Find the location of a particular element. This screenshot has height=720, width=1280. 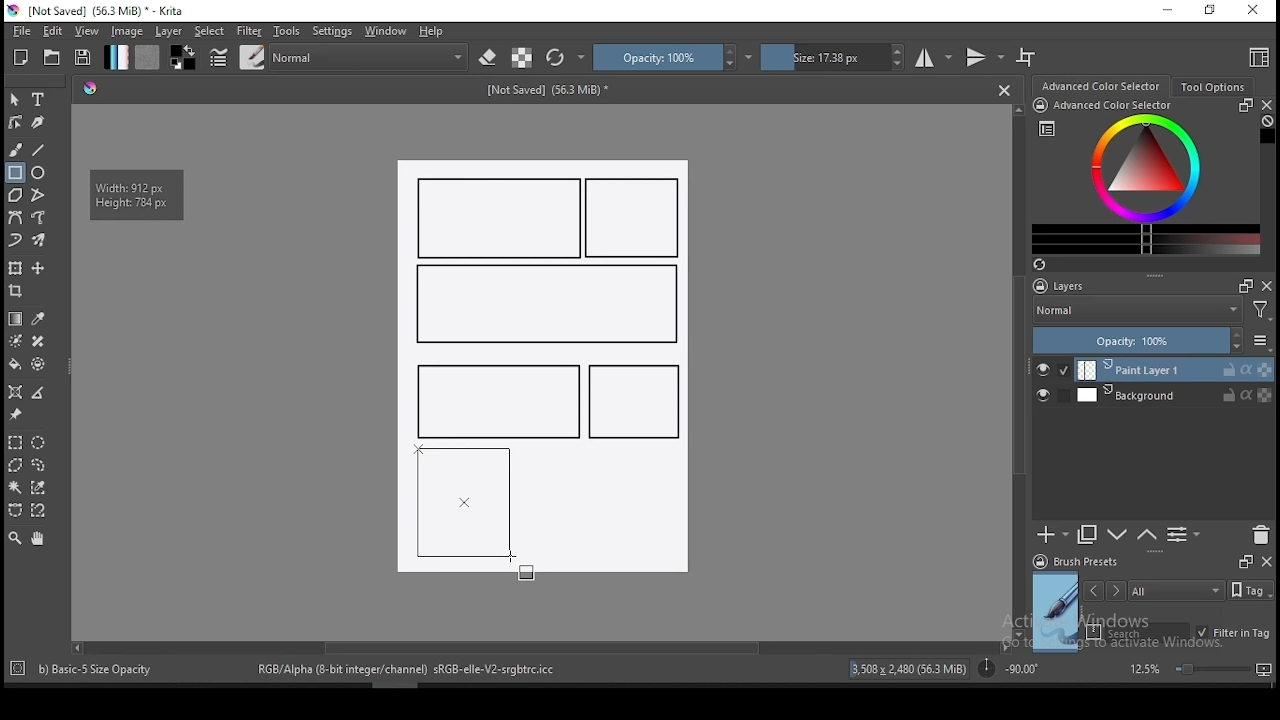

opacity is located at coordinates (673, 57).